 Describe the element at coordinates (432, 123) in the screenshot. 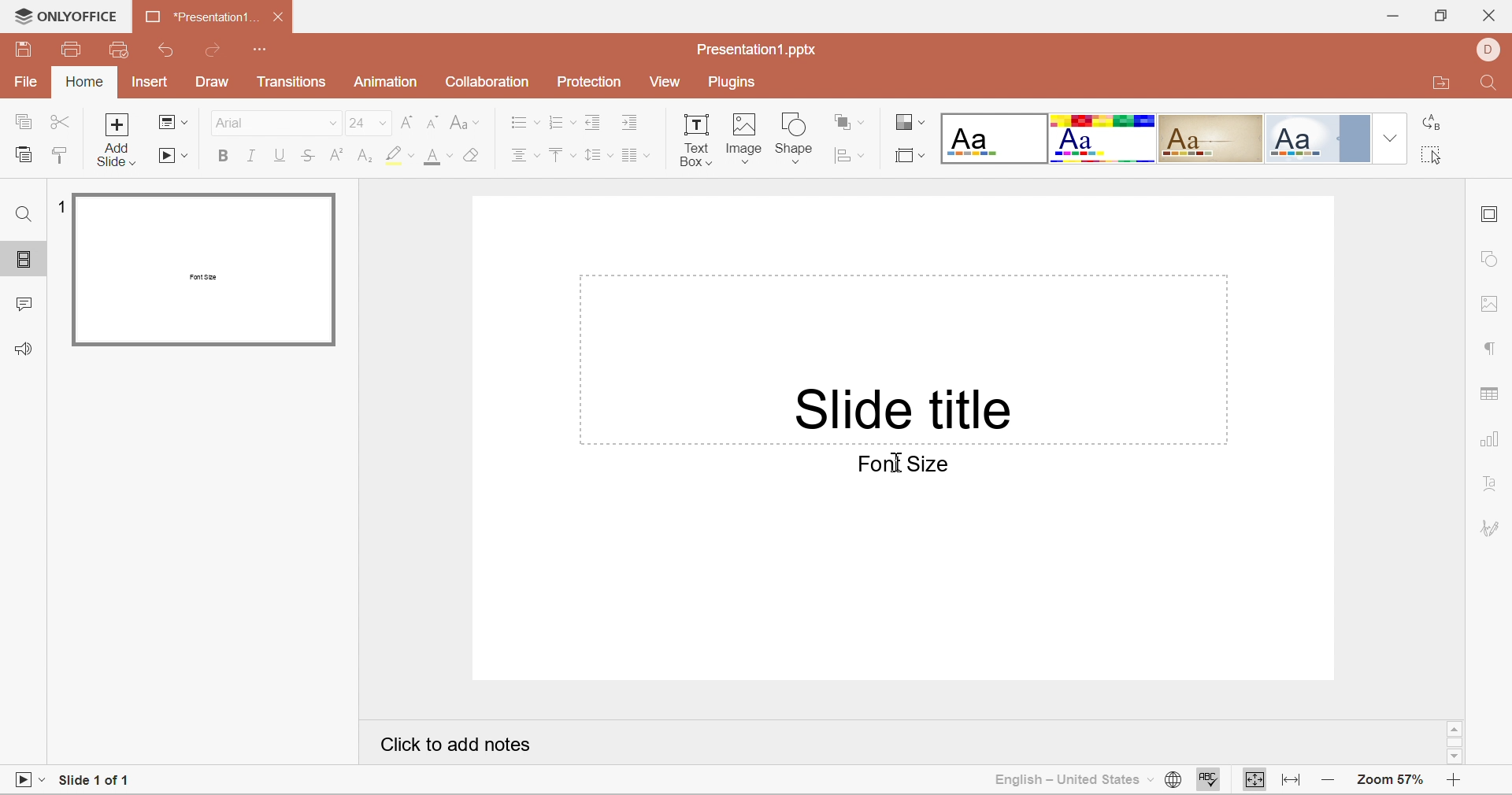

I see `Decrement font size` at that location.